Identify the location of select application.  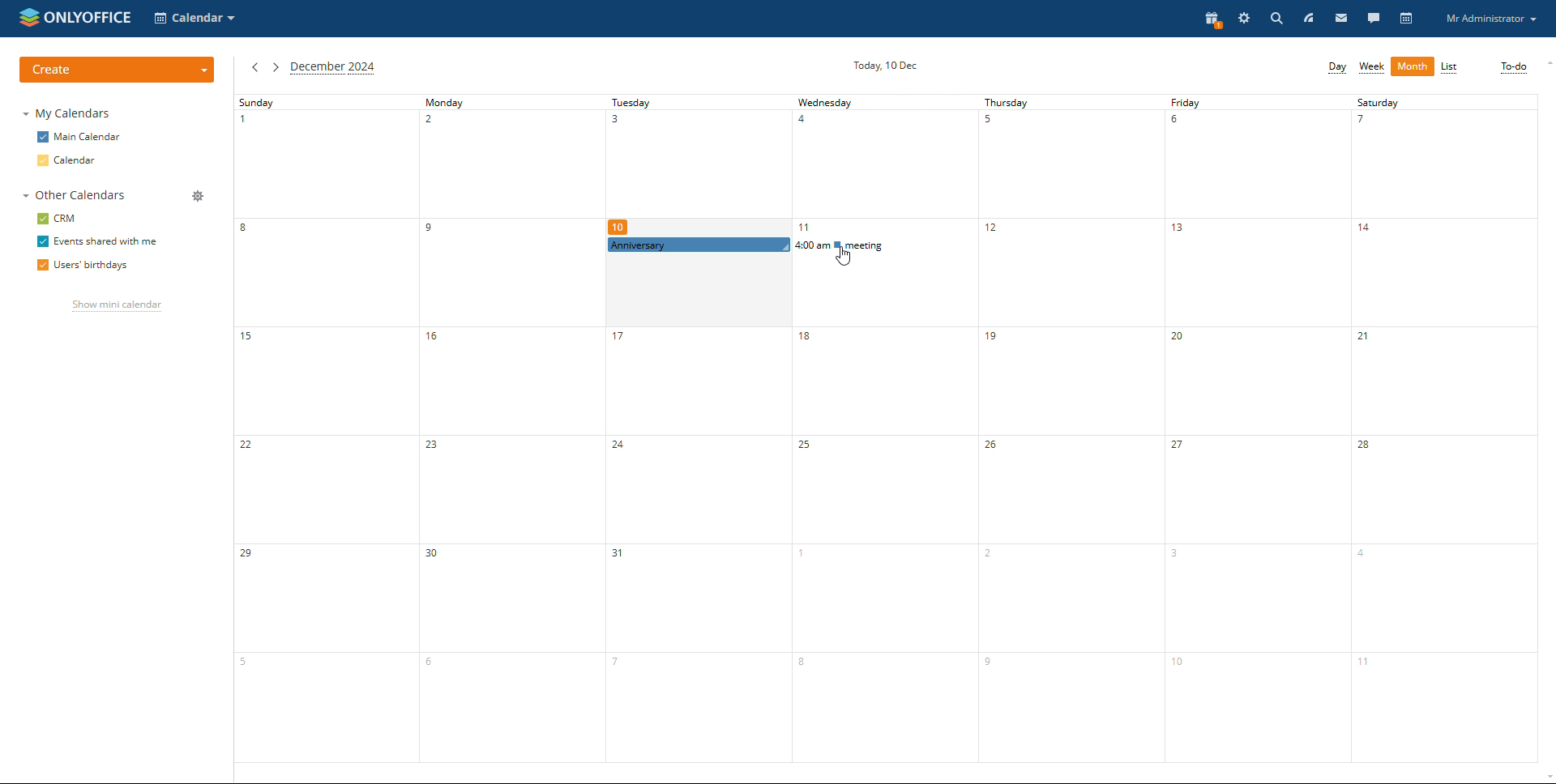
(196, 18).